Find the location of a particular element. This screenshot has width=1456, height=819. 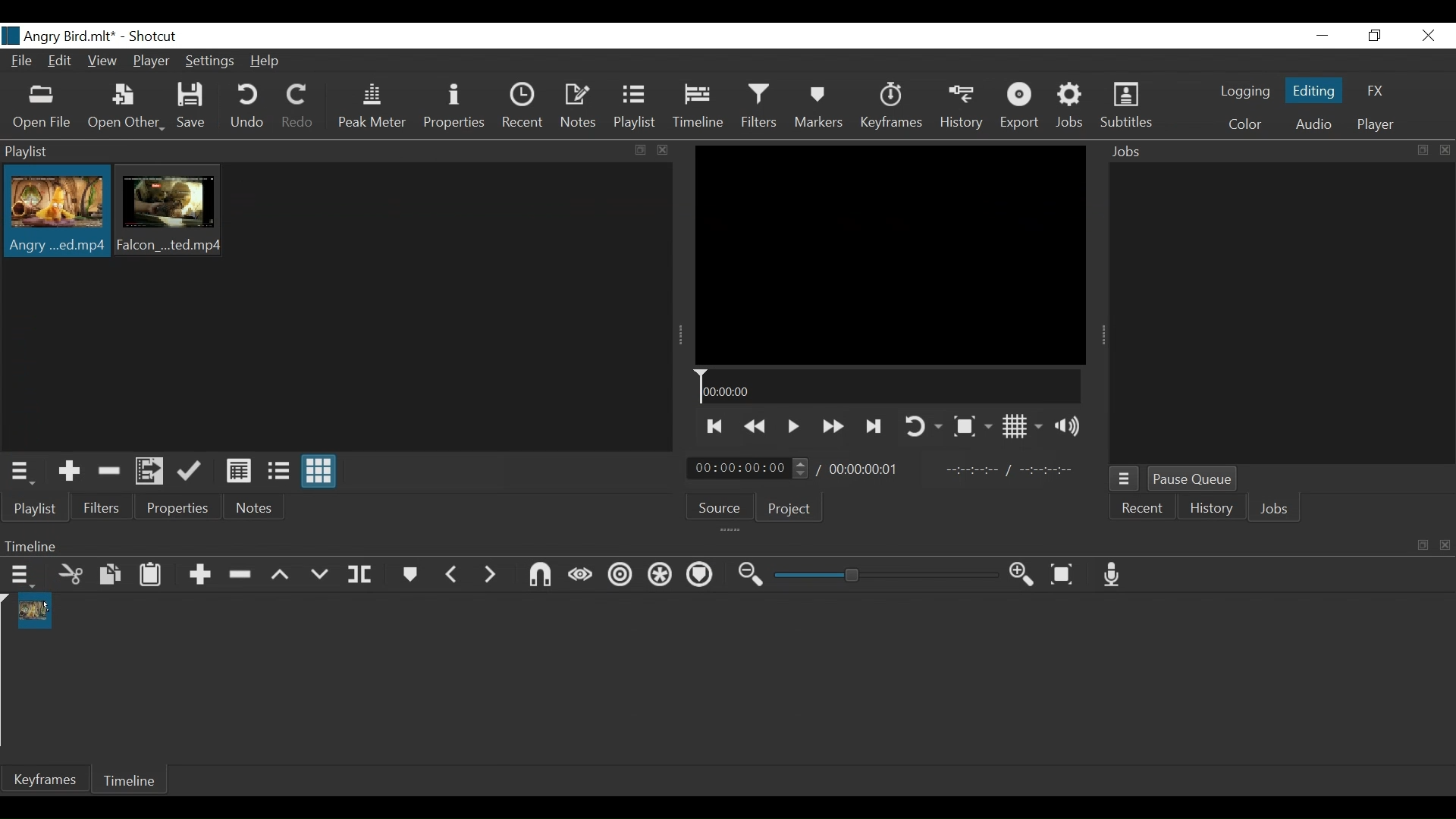

Split at playhead is located at coordinates (362, 576).